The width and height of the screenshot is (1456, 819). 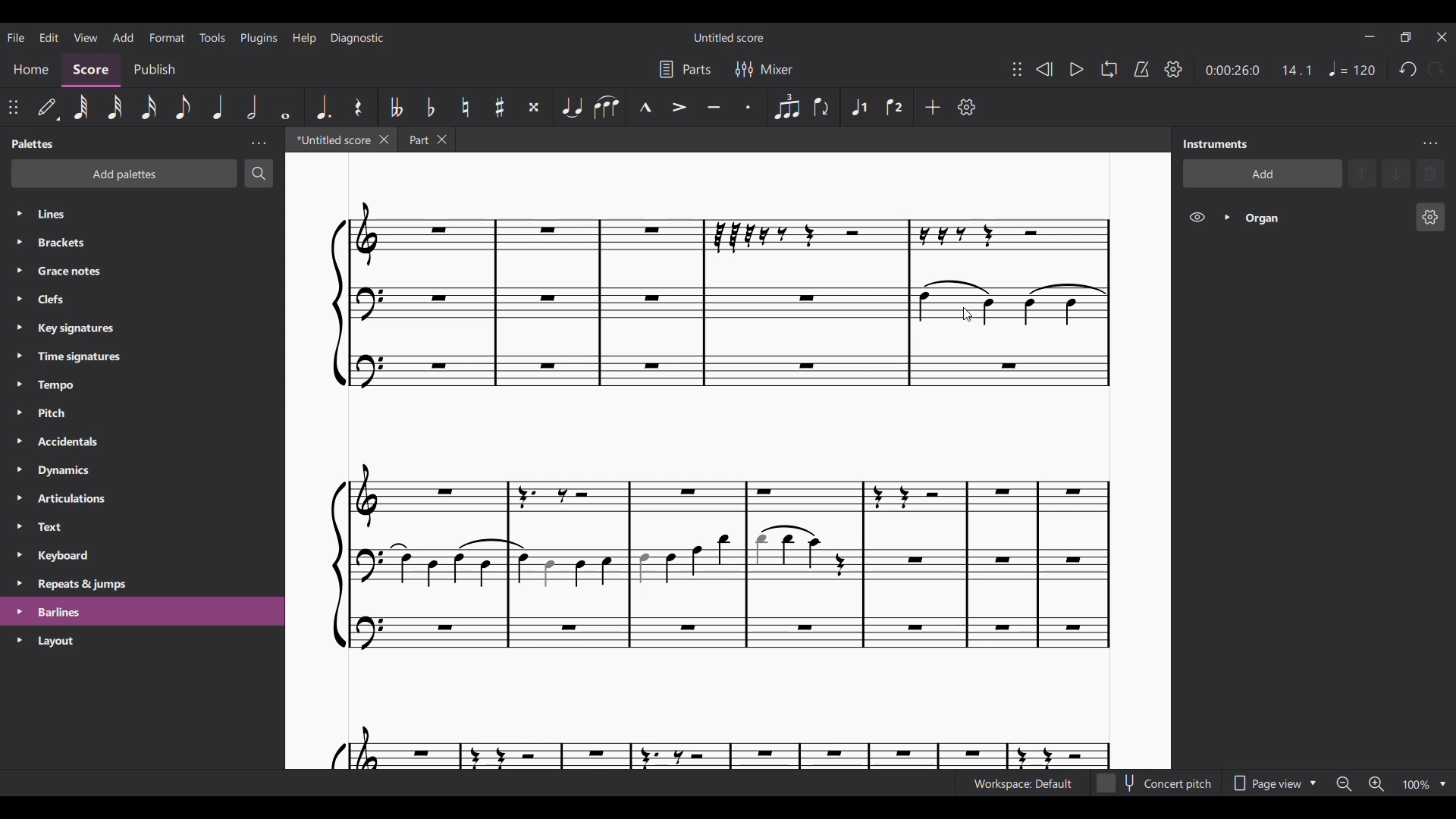 What do you see at coordinates (1216, 143) in the screenshot?
I see `Panel title` at bounding box center [1216, 143].